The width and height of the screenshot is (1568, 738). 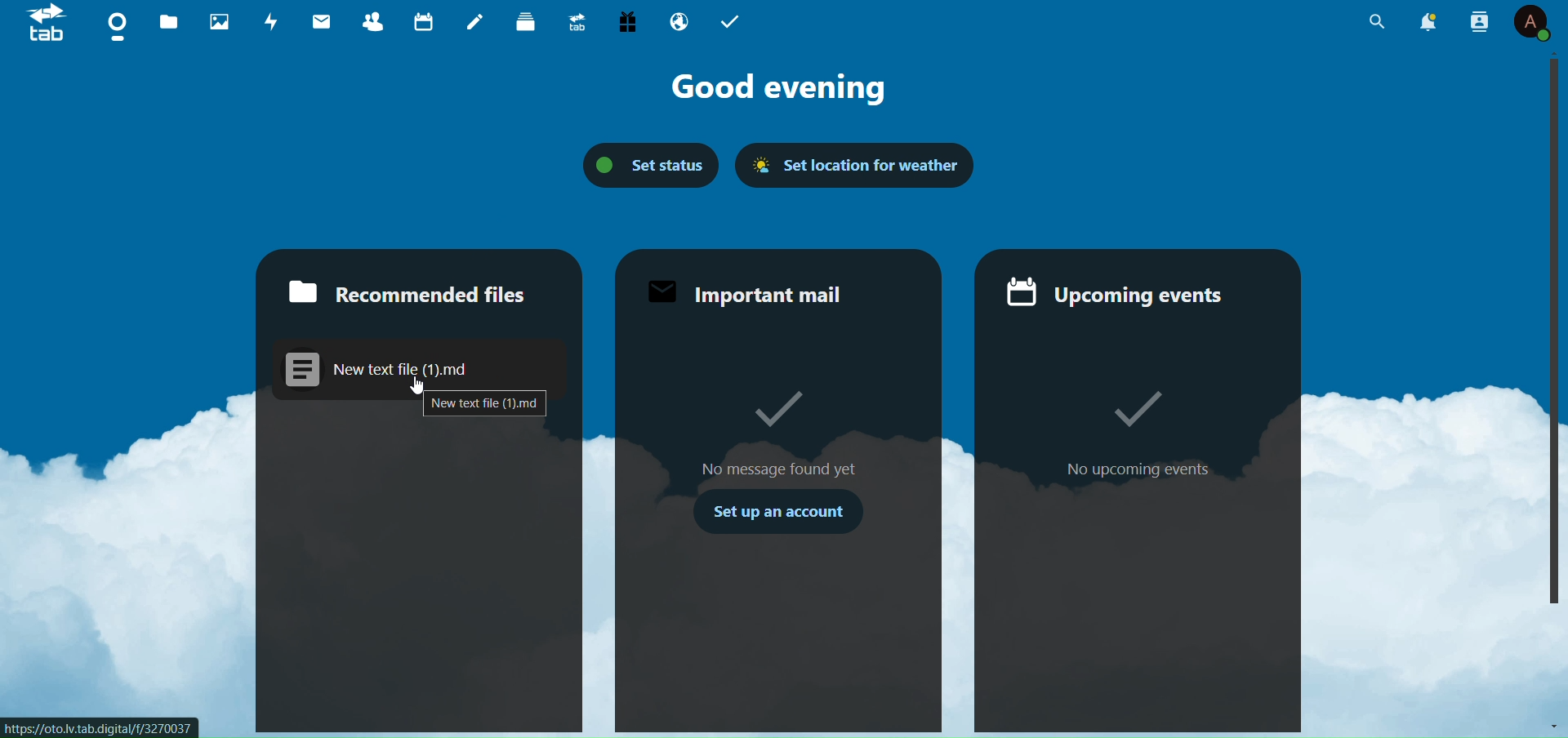 What do you see at coordinates (680, 21) in the screenshot?
I see `email hosting` at bounding box center [680, 21].